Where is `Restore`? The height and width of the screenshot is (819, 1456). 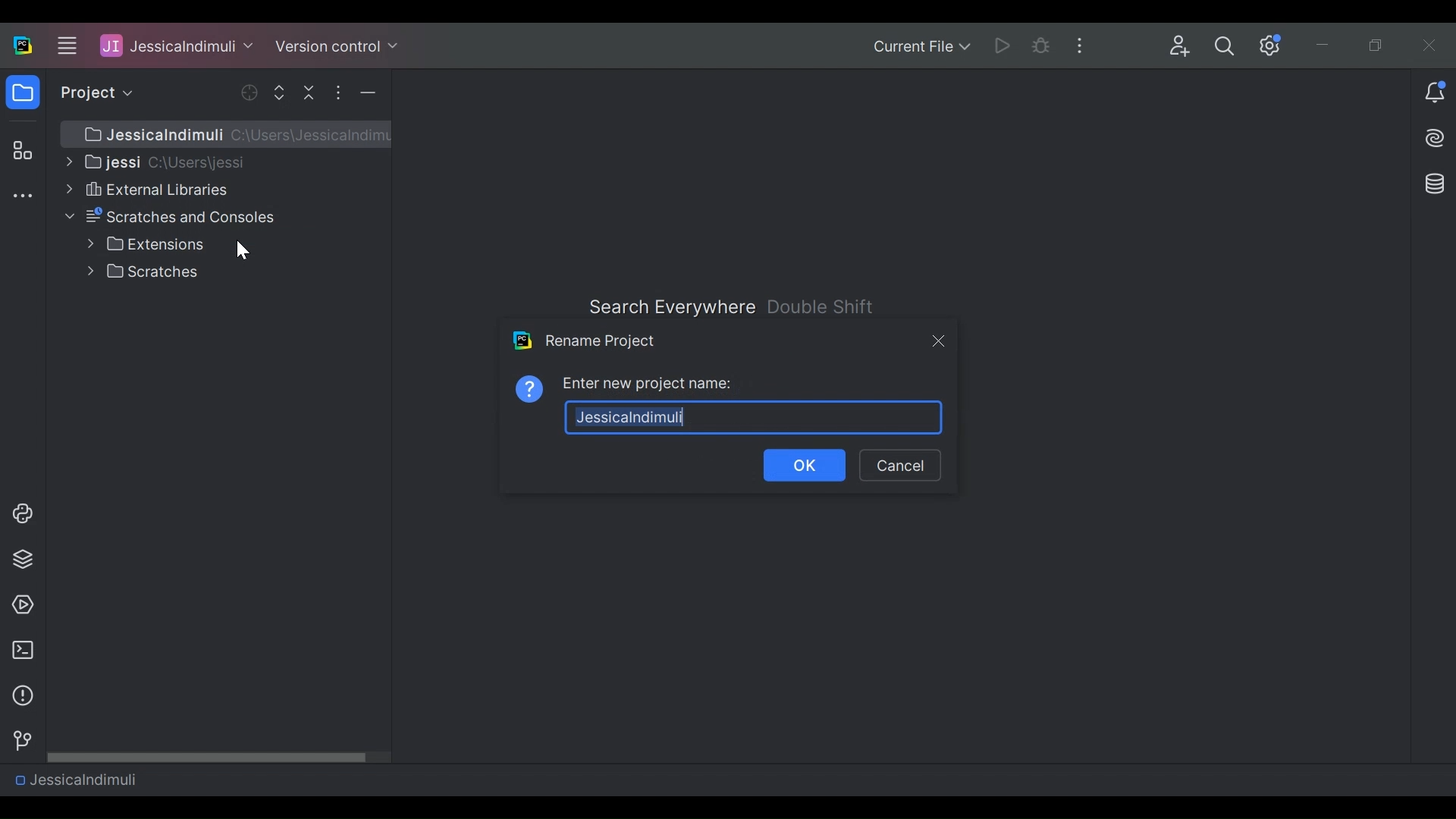
Restore is located at coordinates (1379, 46).